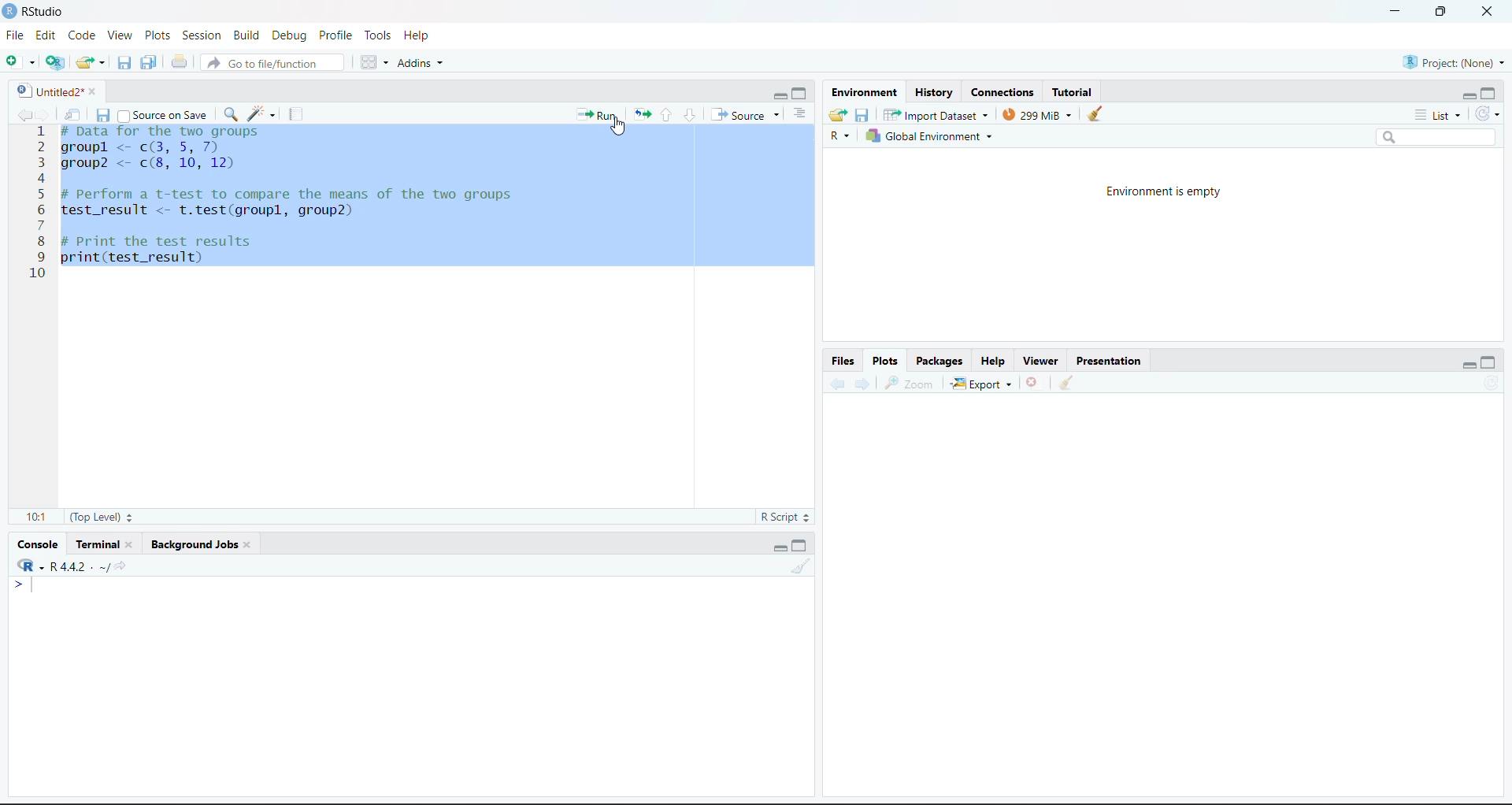 Image resolution: width=1512 pixels, height=805 pixels. Describe the element at coordinates (421, 36) in the screenshot. I see `Help` at that location.